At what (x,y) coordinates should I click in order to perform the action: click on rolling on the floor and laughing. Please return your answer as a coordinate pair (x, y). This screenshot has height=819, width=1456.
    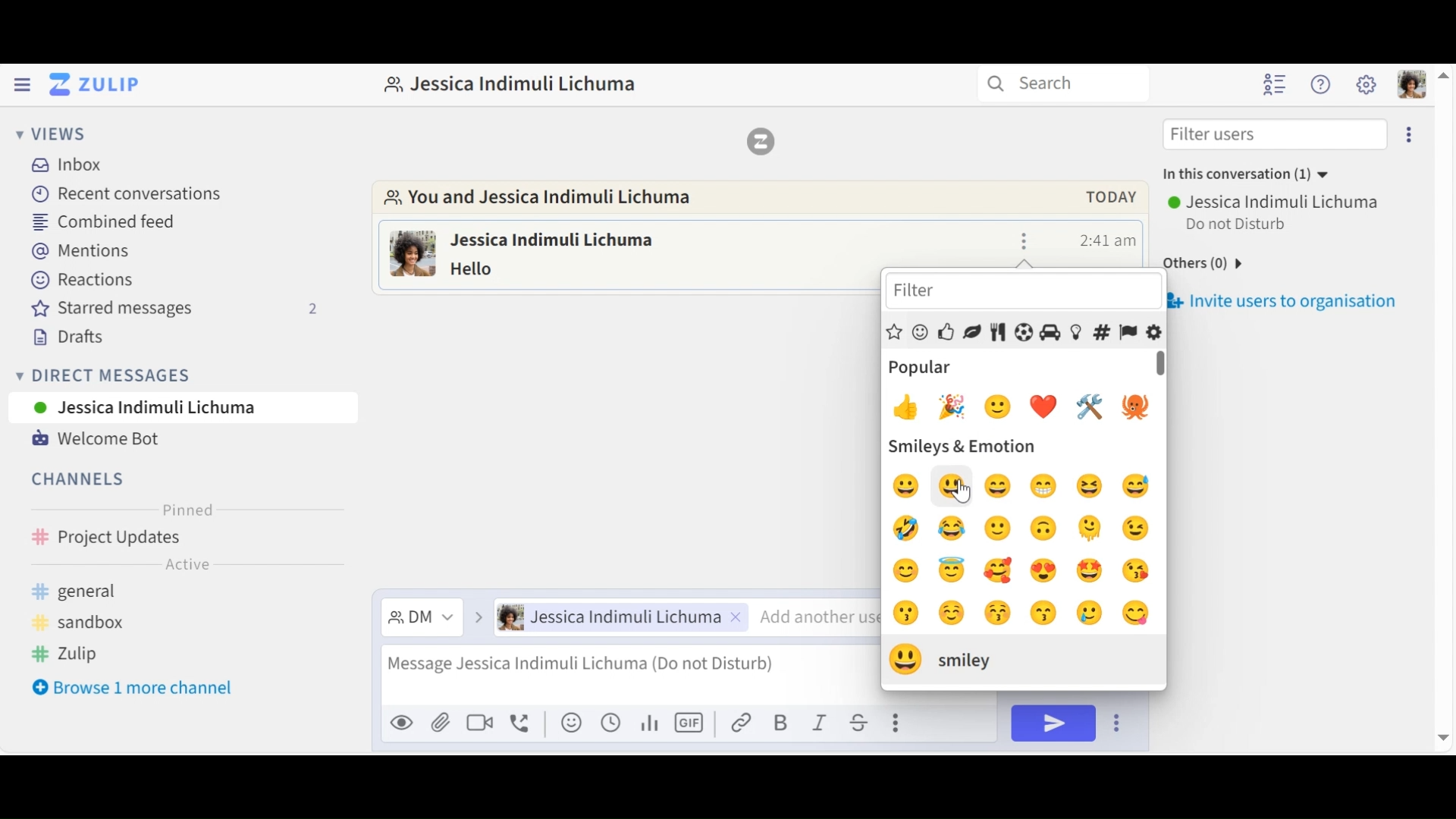
    Looking at the image, I should click on (905, 529).